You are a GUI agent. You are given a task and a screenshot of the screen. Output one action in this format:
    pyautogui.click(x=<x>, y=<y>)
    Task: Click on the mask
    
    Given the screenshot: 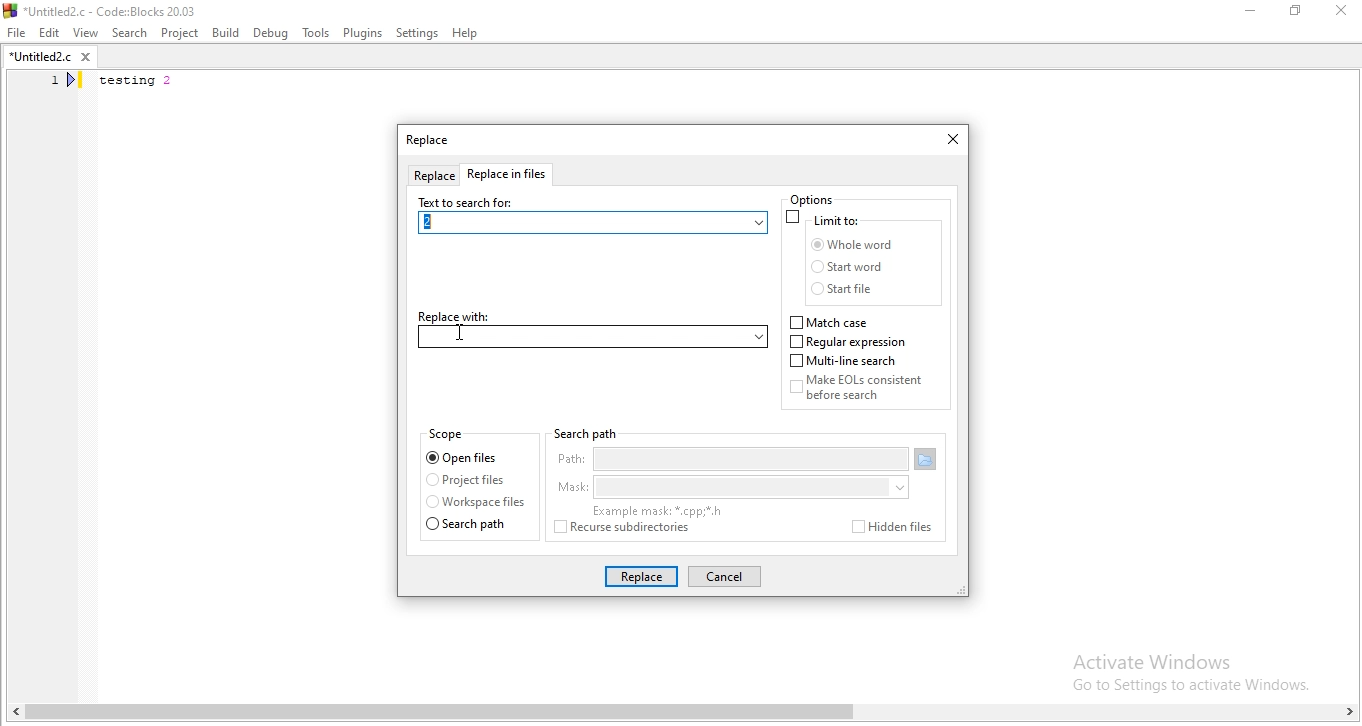 What is the action you would take?
    pyautogui.click(x=729, y=488)
    